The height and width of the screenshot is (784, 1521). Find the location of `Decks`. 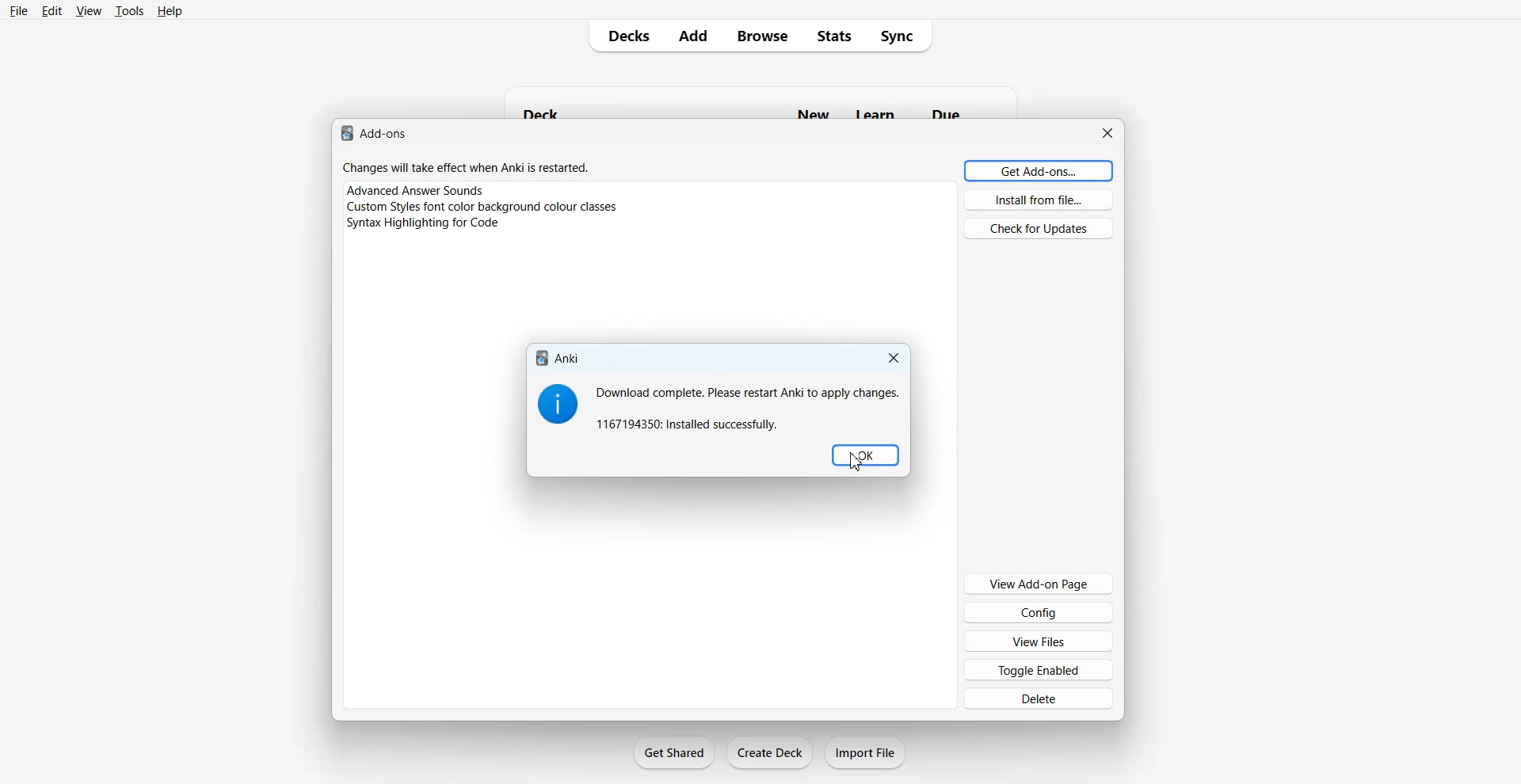

Decks is located at coordinates (622, 36).